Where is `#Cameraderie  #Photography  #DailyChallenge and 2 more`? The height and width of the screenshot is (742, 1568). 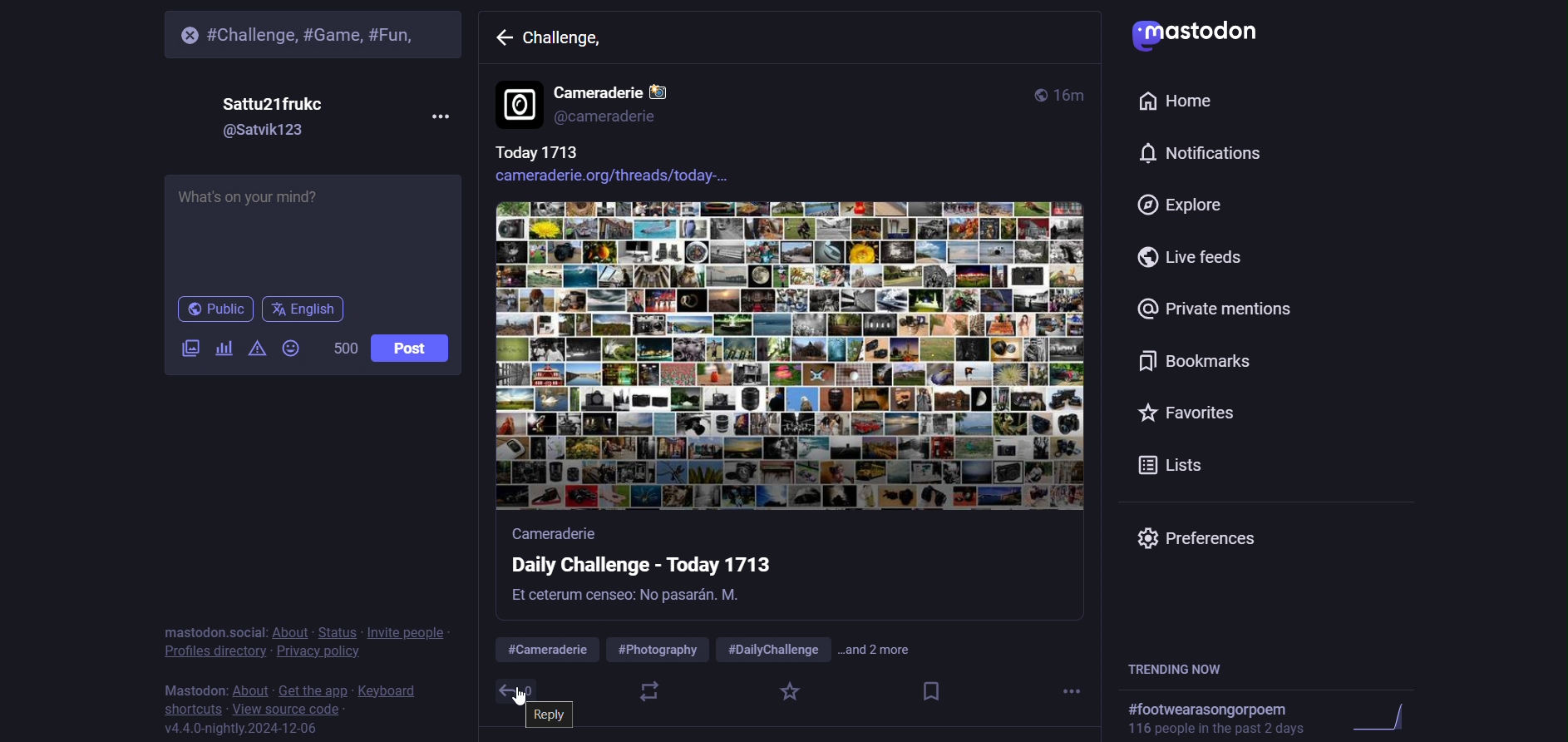
#Cameraderie  #Photography  #DailyChallenge and 2 more is located at coordinates (717, 650).